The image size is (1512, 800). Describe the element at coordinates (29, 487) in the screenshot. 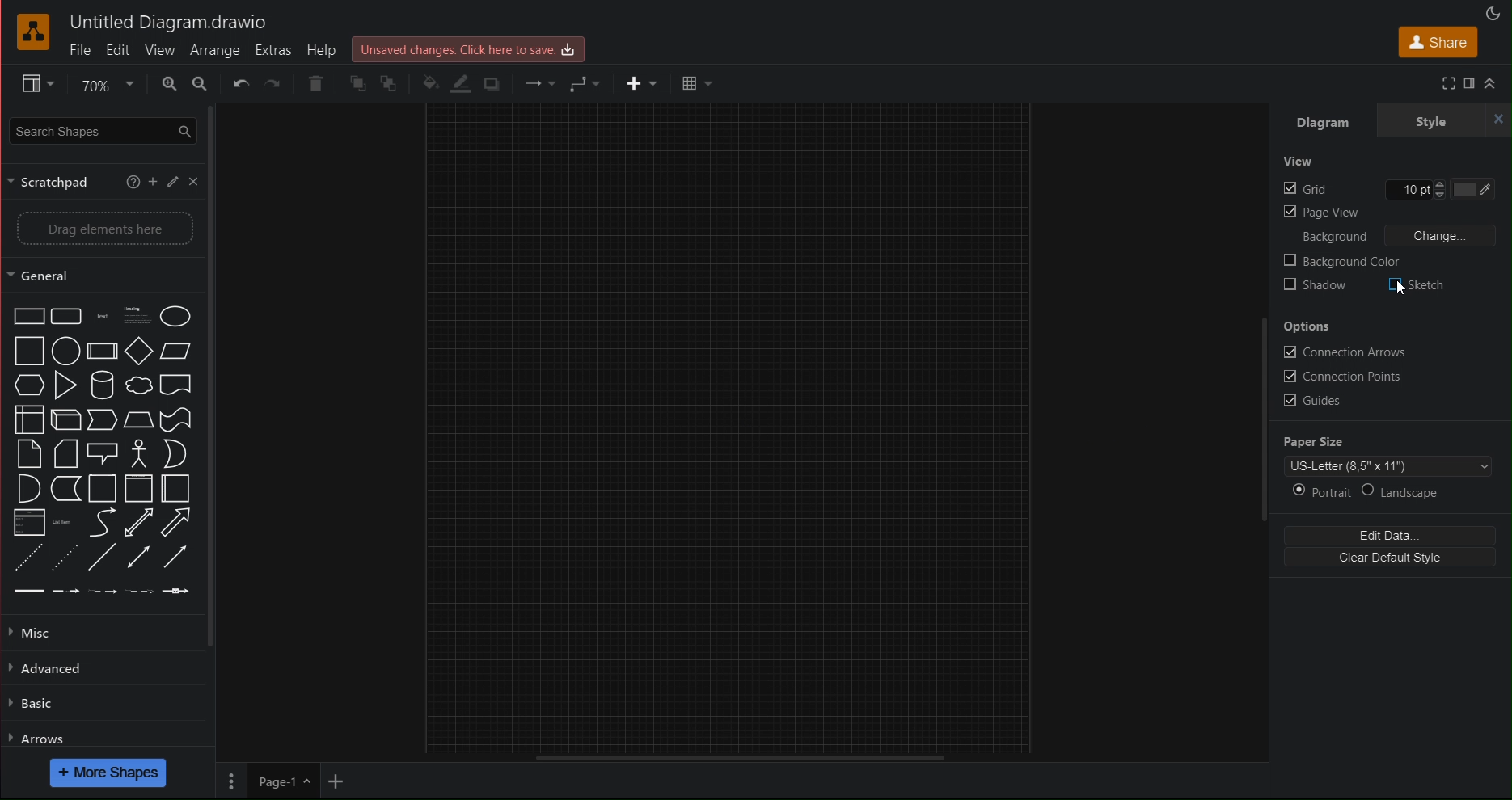

I see `and` at that location.